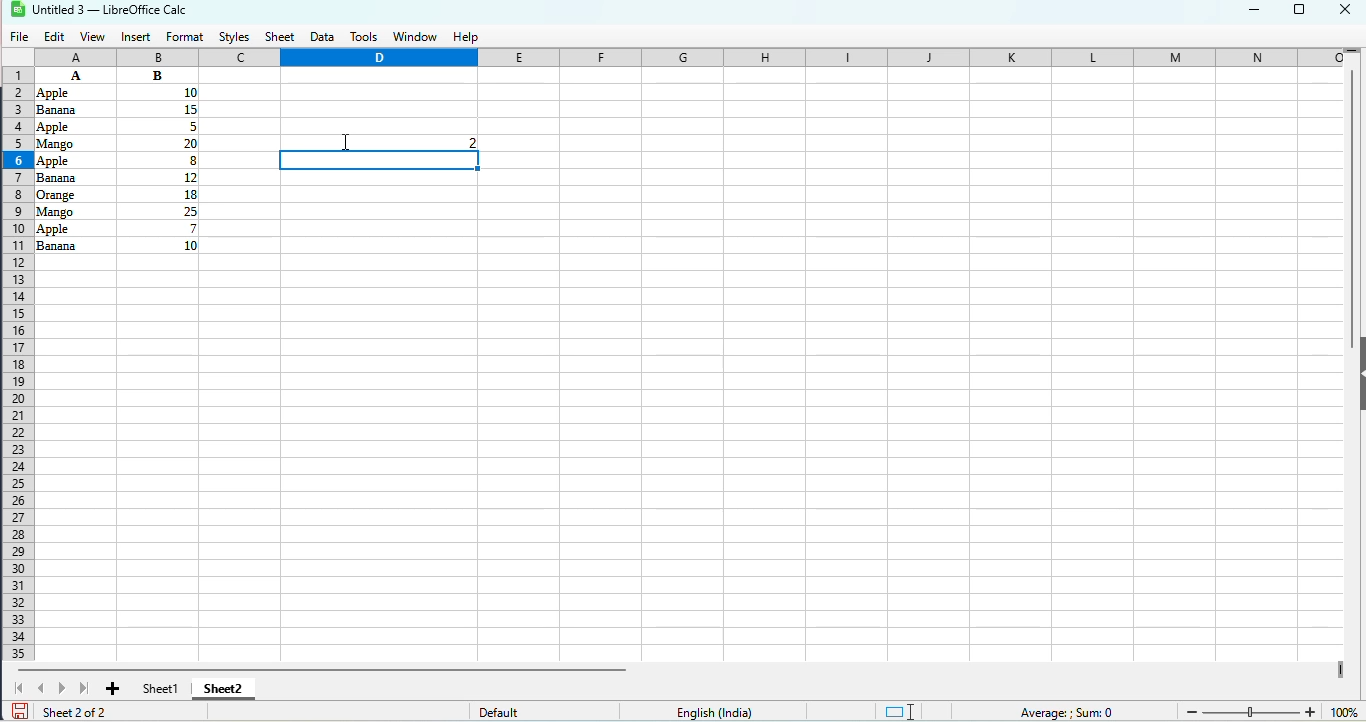  I want to click on scroll to previous sheet, so click(41, 689).